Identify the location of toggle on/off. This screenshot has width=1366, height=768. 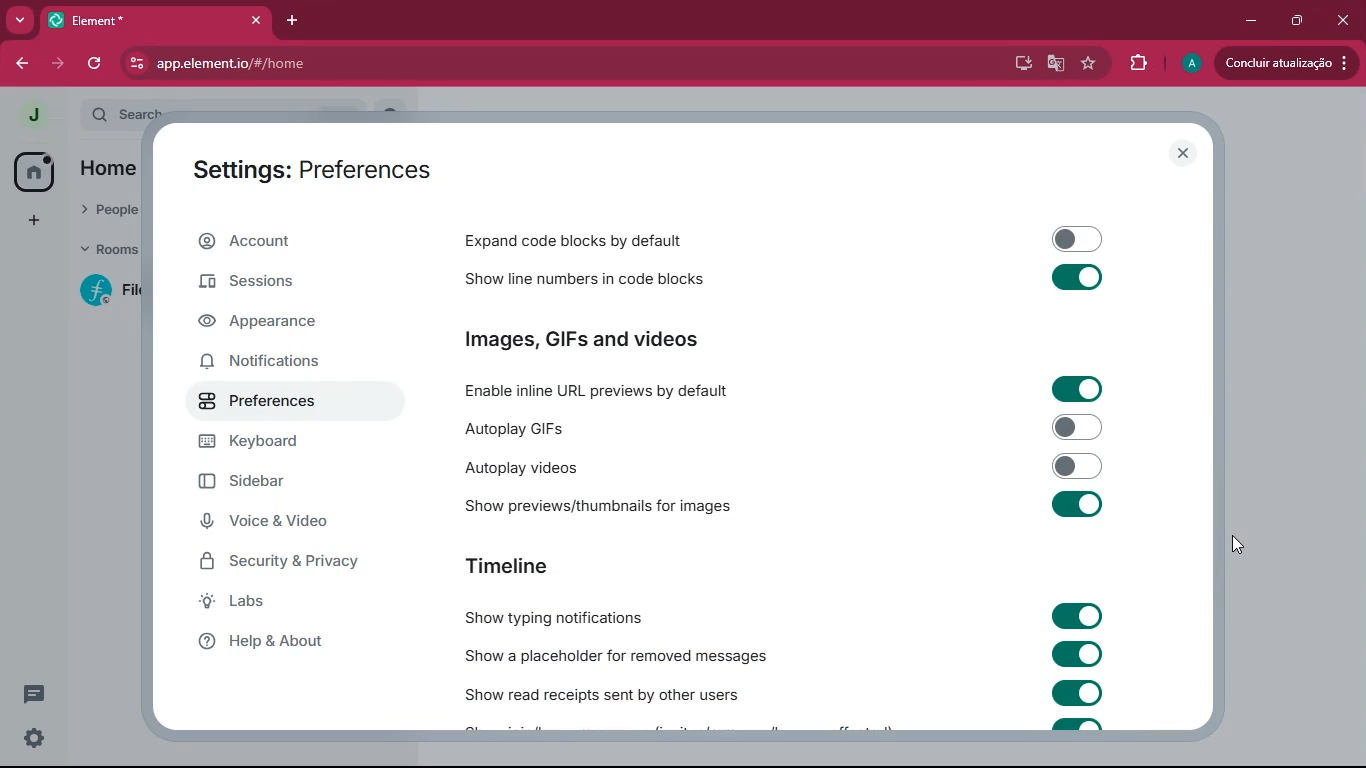
(1078, 466).